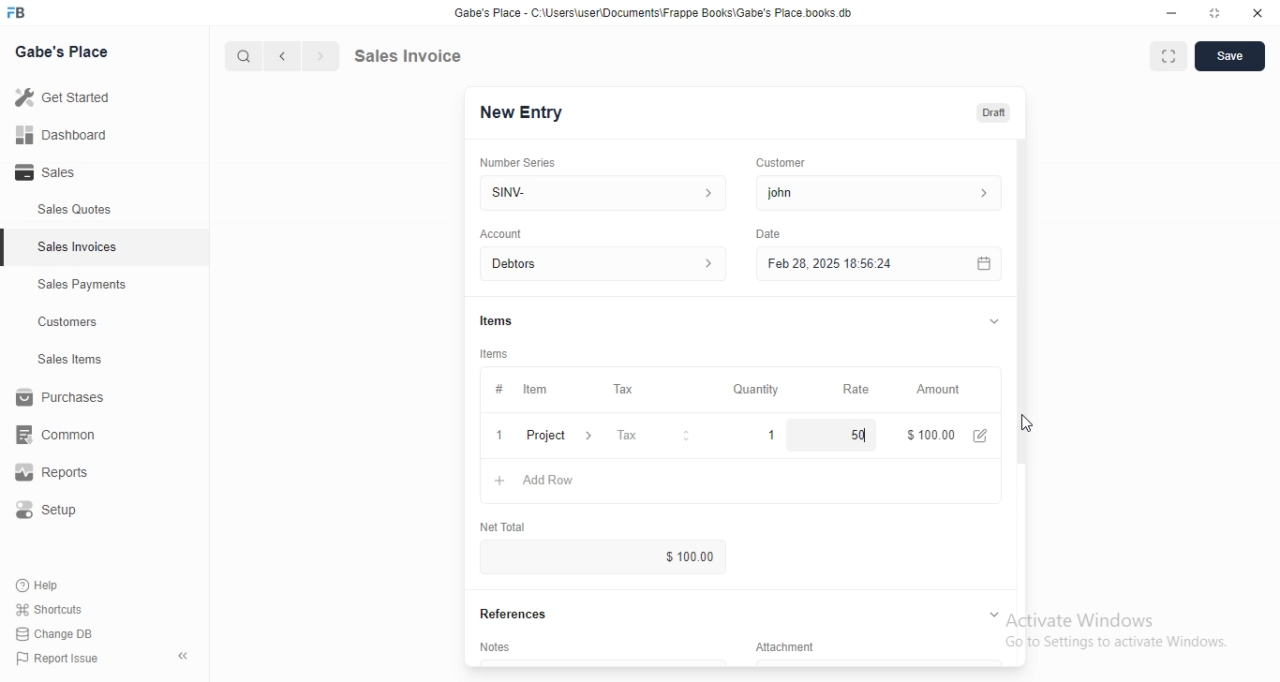 Image resolution: width=1280 pixels, height=682 pixels. Describe the element at coordinates (300, 56) in the screenshot. I see `forward/backward` at that location.